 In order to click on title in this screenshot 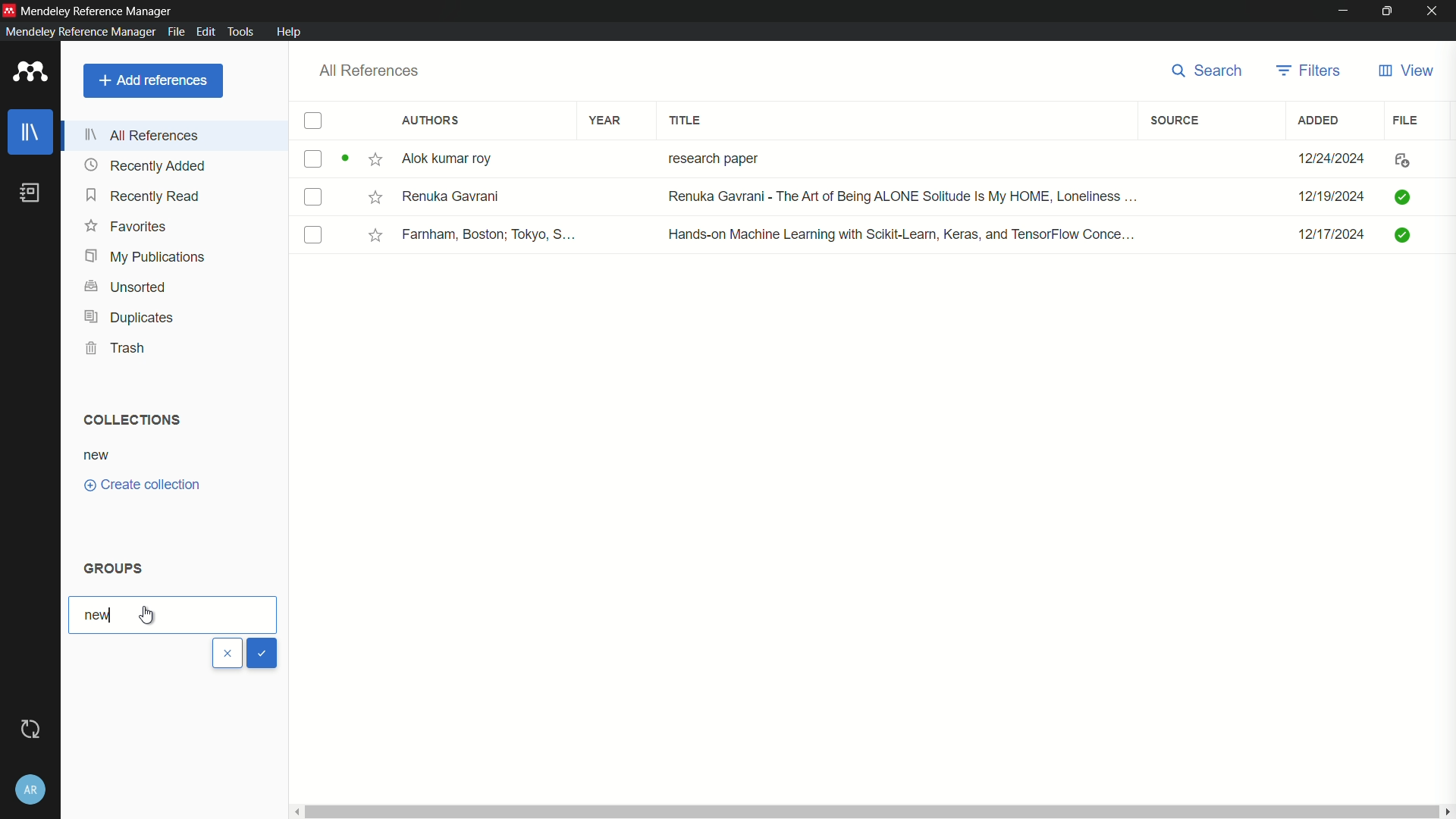, I will do `click(687, 121)`.